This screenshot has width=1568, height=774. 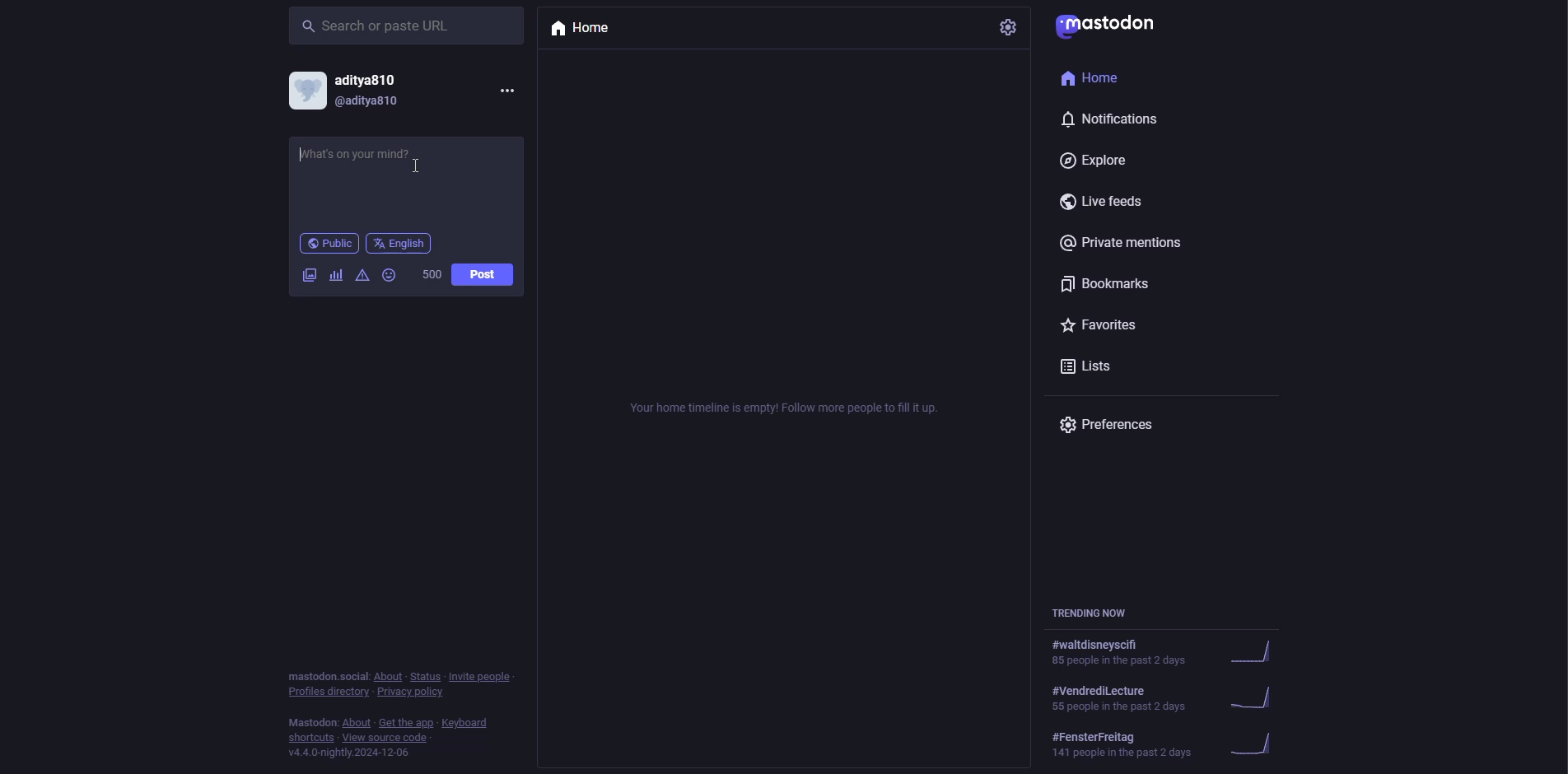 What do you see at coordinates (390, 716) in the screenshot?
I see `info` at bounding box center [390, 716].